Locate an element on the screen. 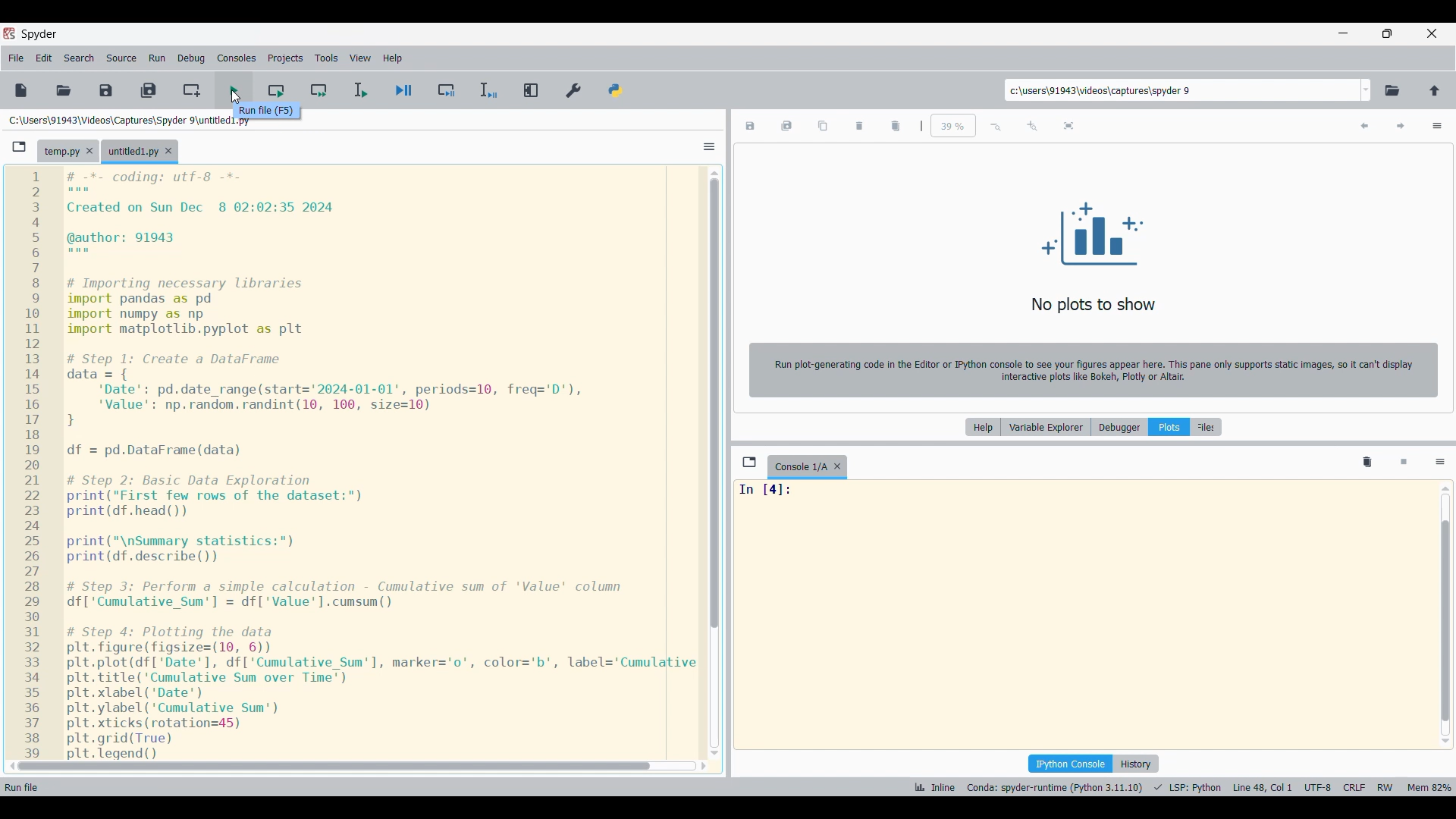 The width and height of the screenshot is (1456, 819). interpreter is located at coordinates (1053, 787).